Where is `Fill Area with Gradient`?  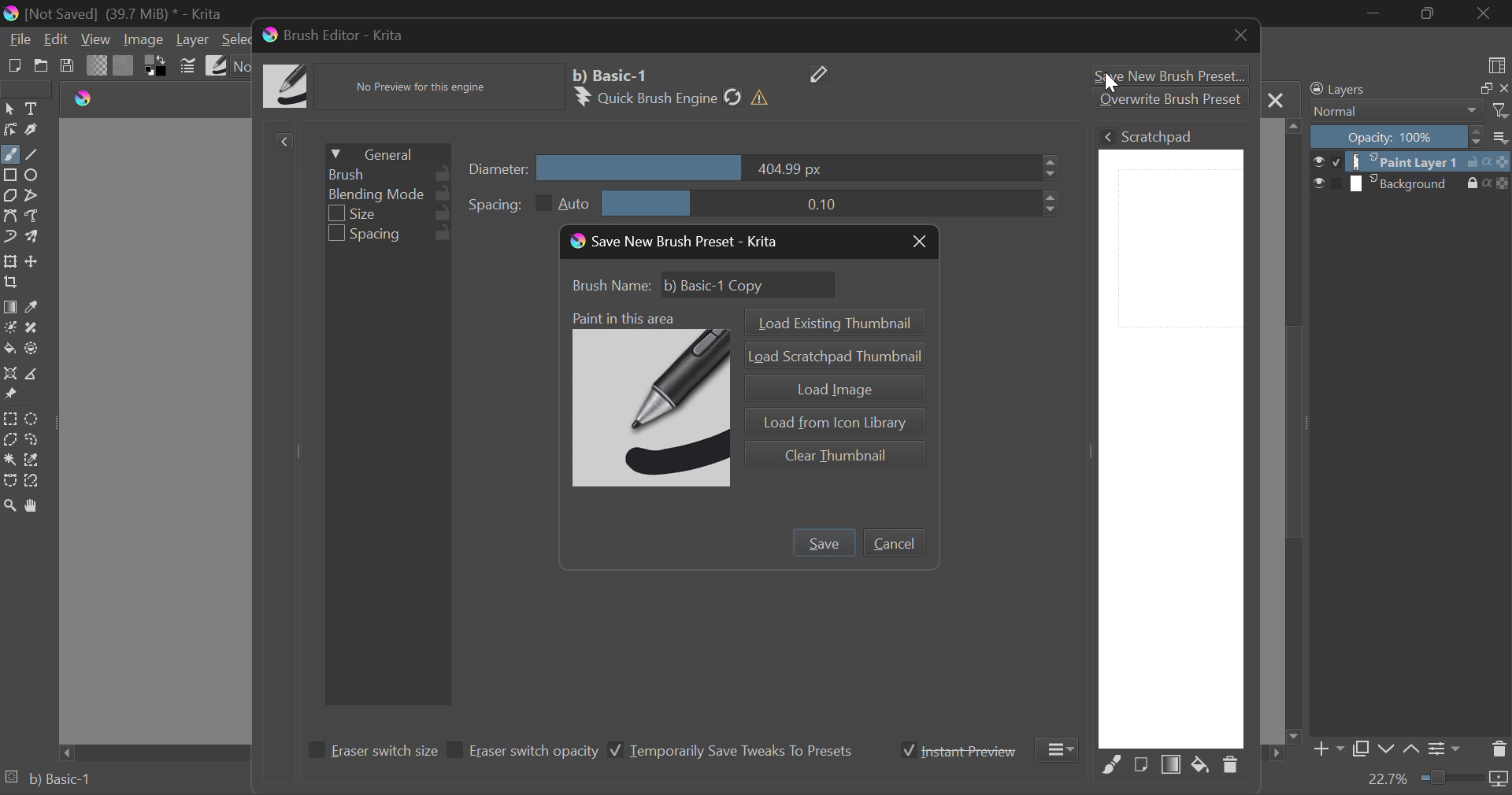 Fill Area with Gradient is located at coordinates (1172, 766).